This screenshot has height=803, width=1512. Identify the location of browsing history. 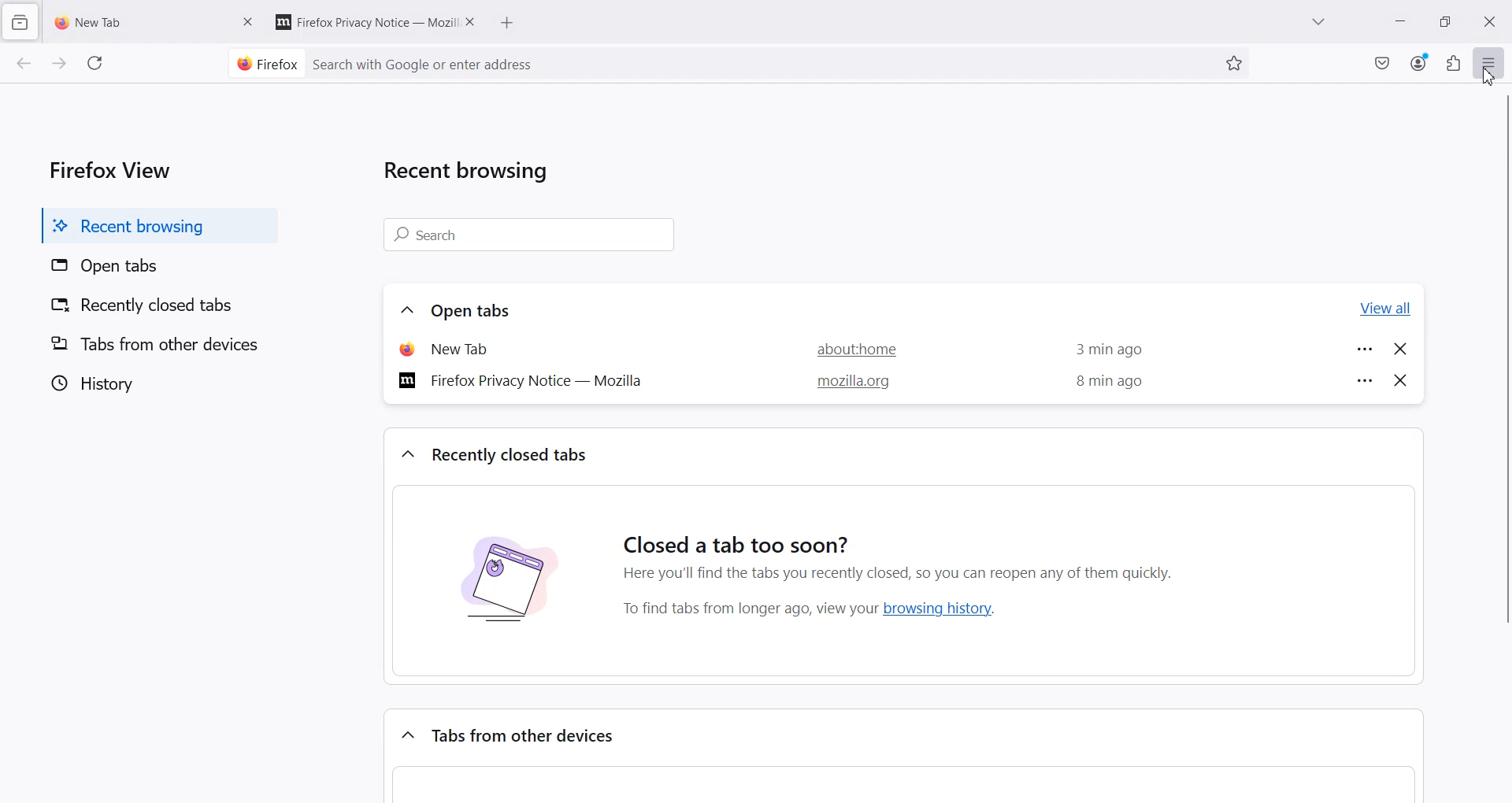
(944, 608).